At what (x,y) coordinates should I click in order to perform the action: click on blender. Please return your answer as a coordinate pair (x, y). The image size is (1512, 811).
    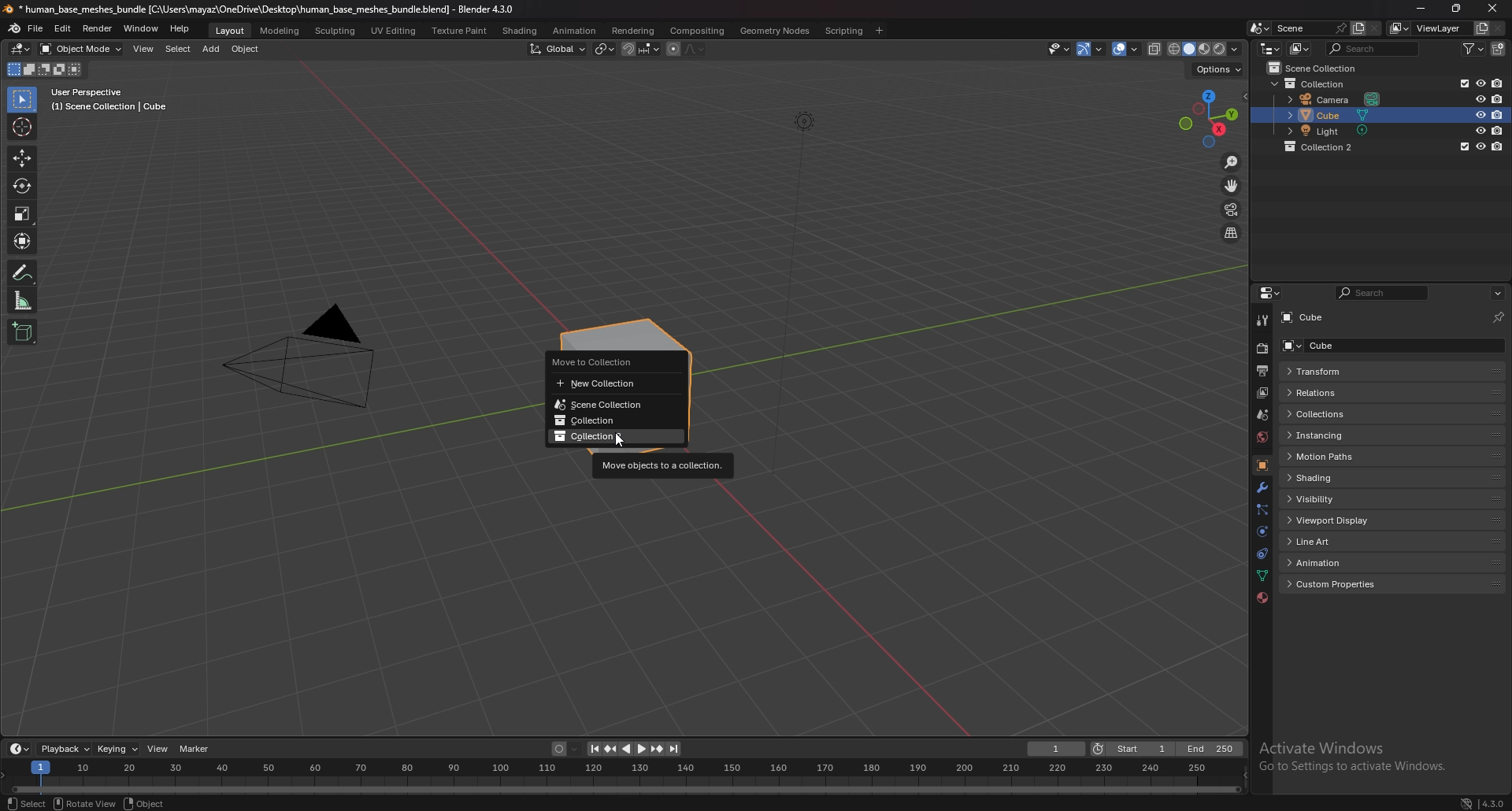
    Looking at the image, I should click on (16, 28).